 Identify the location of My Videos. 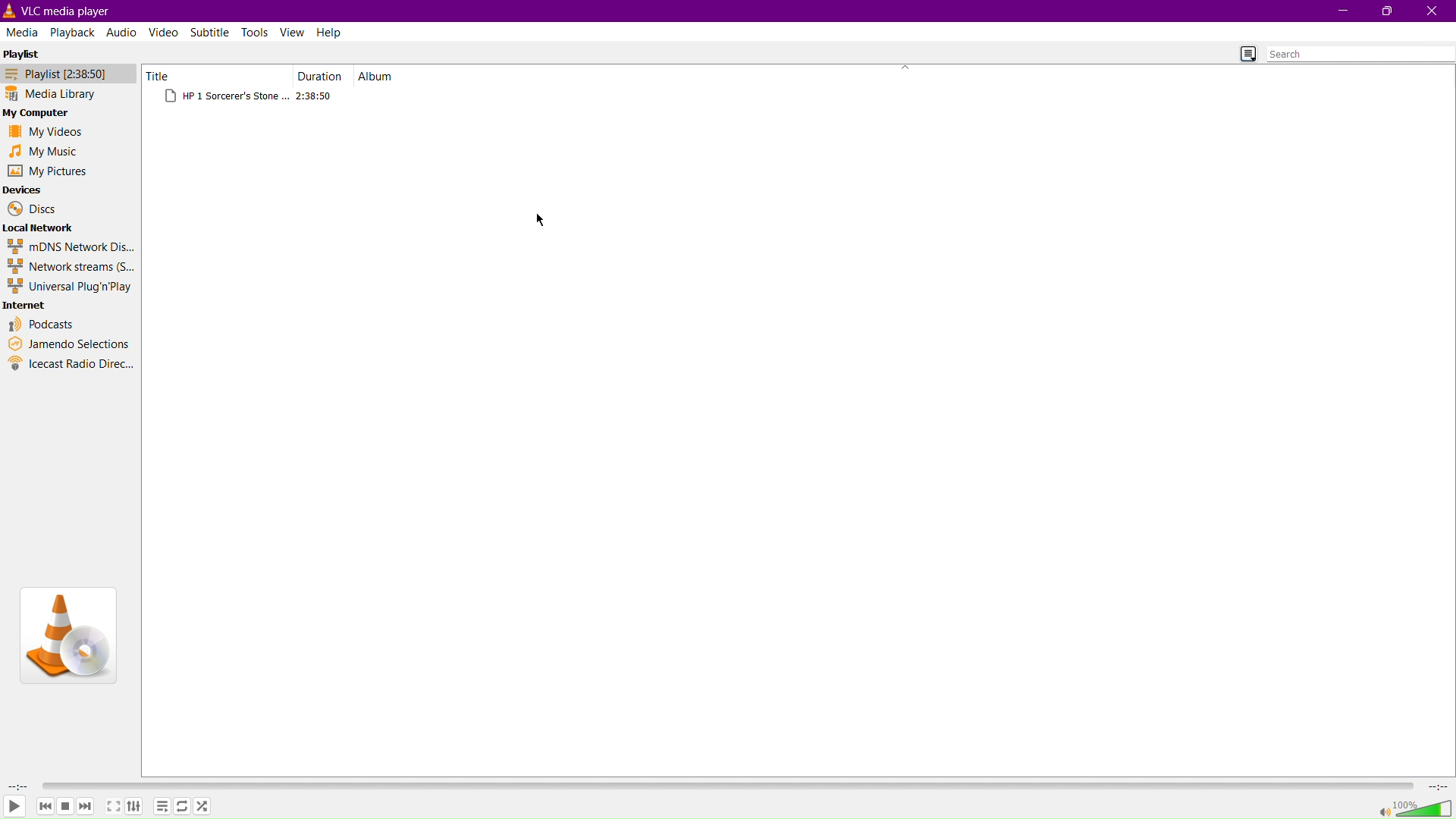
(42, 133).